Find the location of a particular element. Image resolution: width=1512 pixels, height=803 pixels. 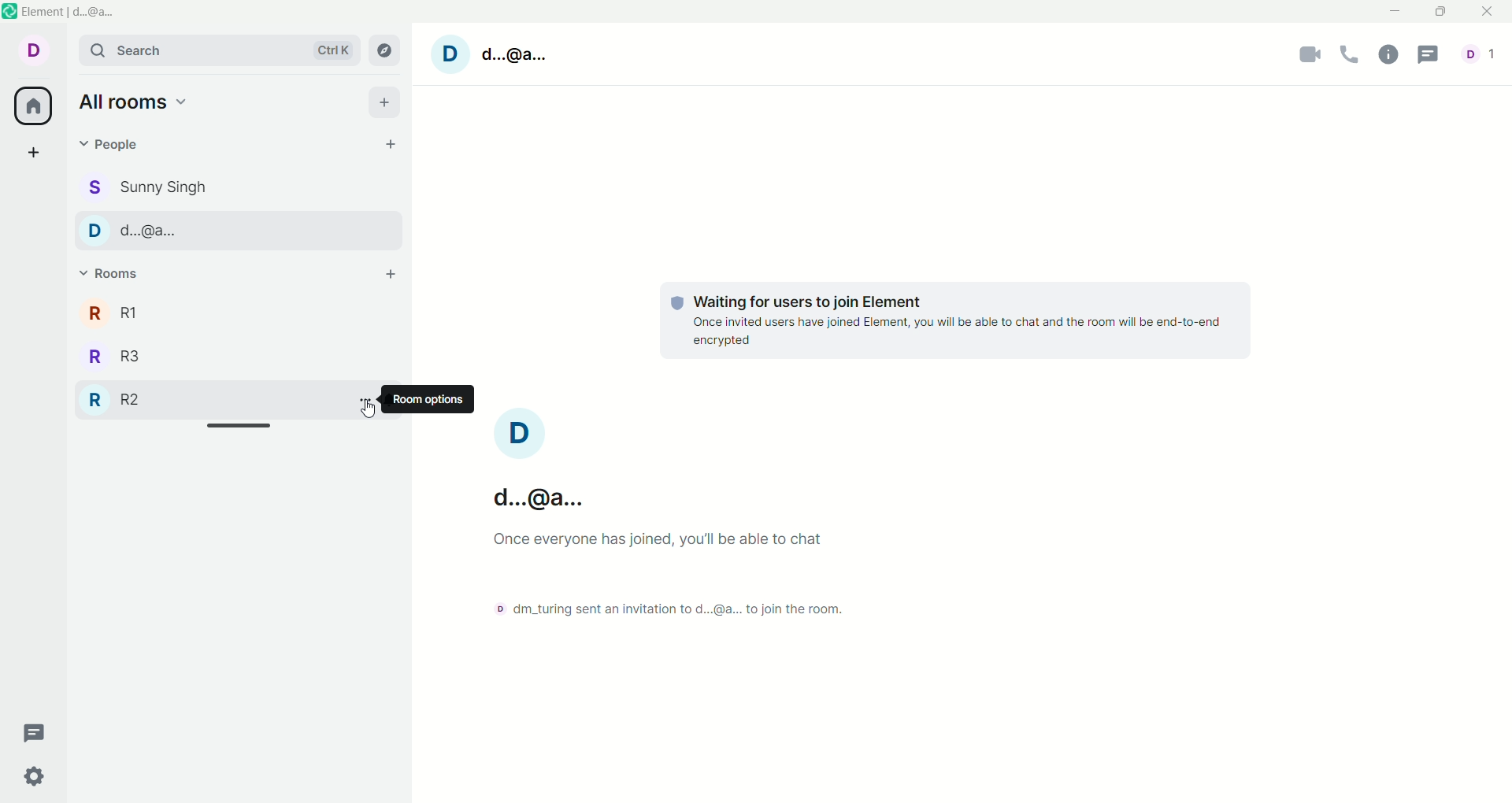

text is located at coordinates (956, 320).